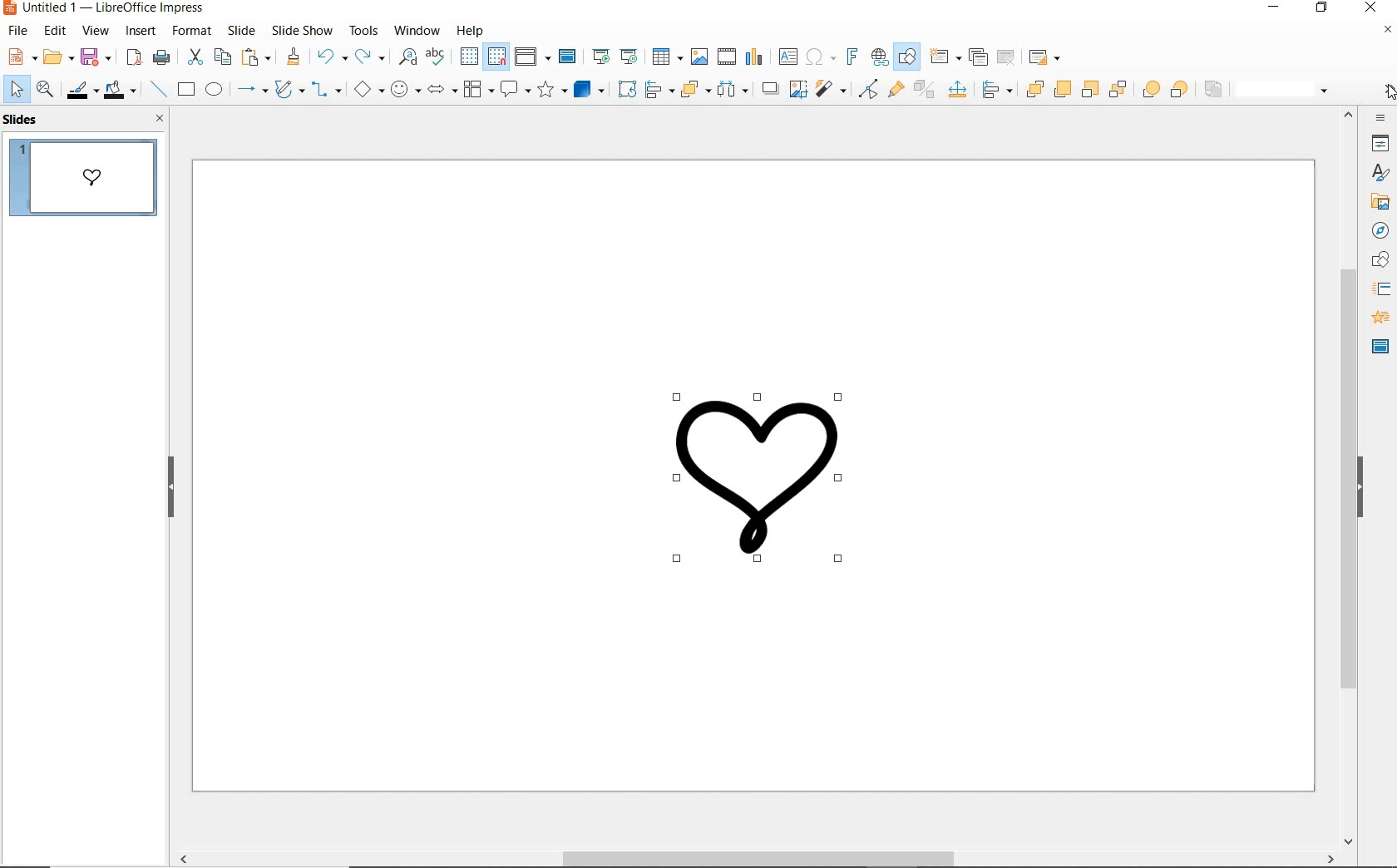  What do you see at coordinates (469, 57) in the screenshot?
I see `display grid` at bounding box center [469, 57].